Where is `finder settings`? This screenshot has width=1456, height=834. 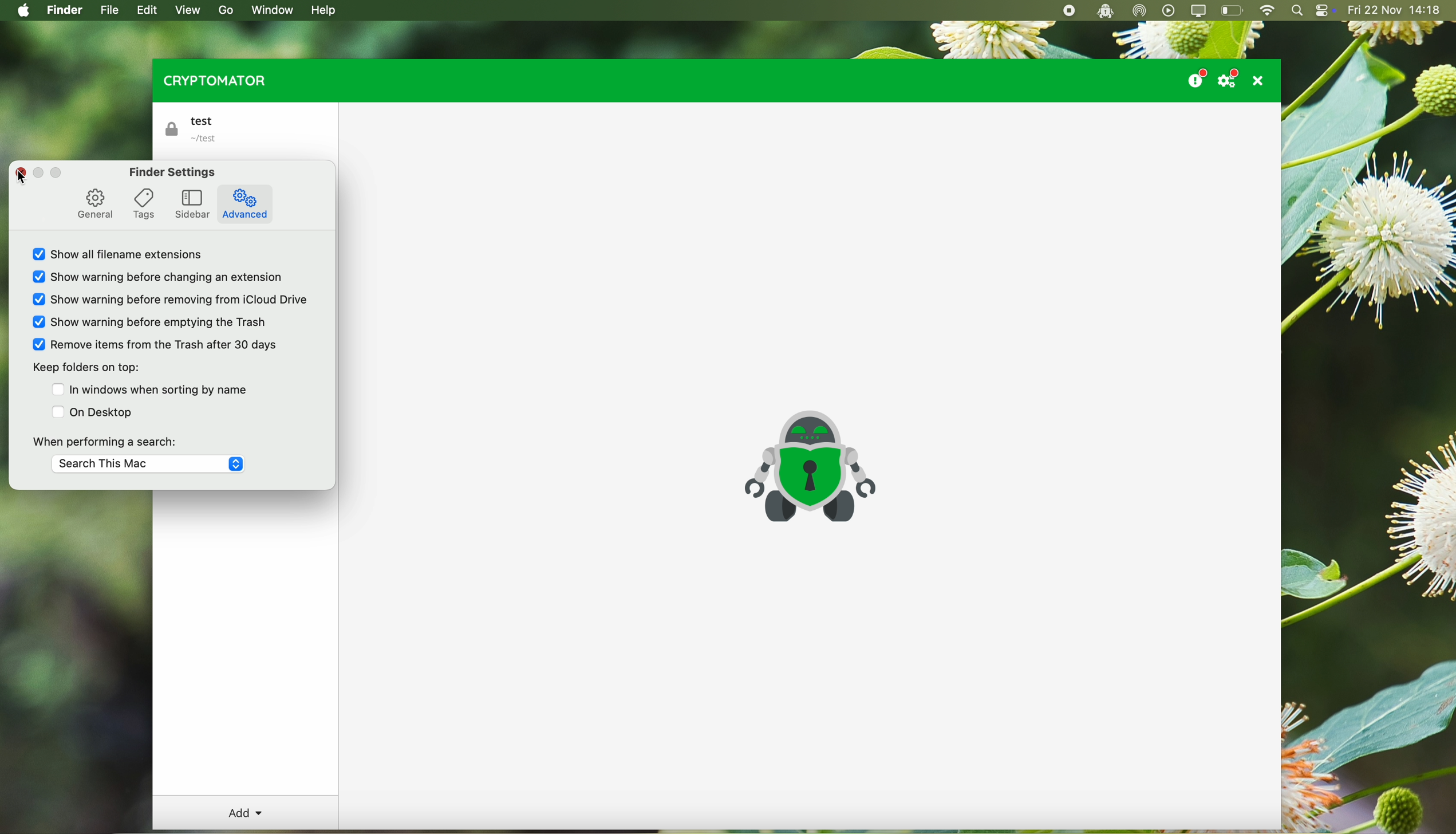 finder settings is located at coordinates (173, 172).